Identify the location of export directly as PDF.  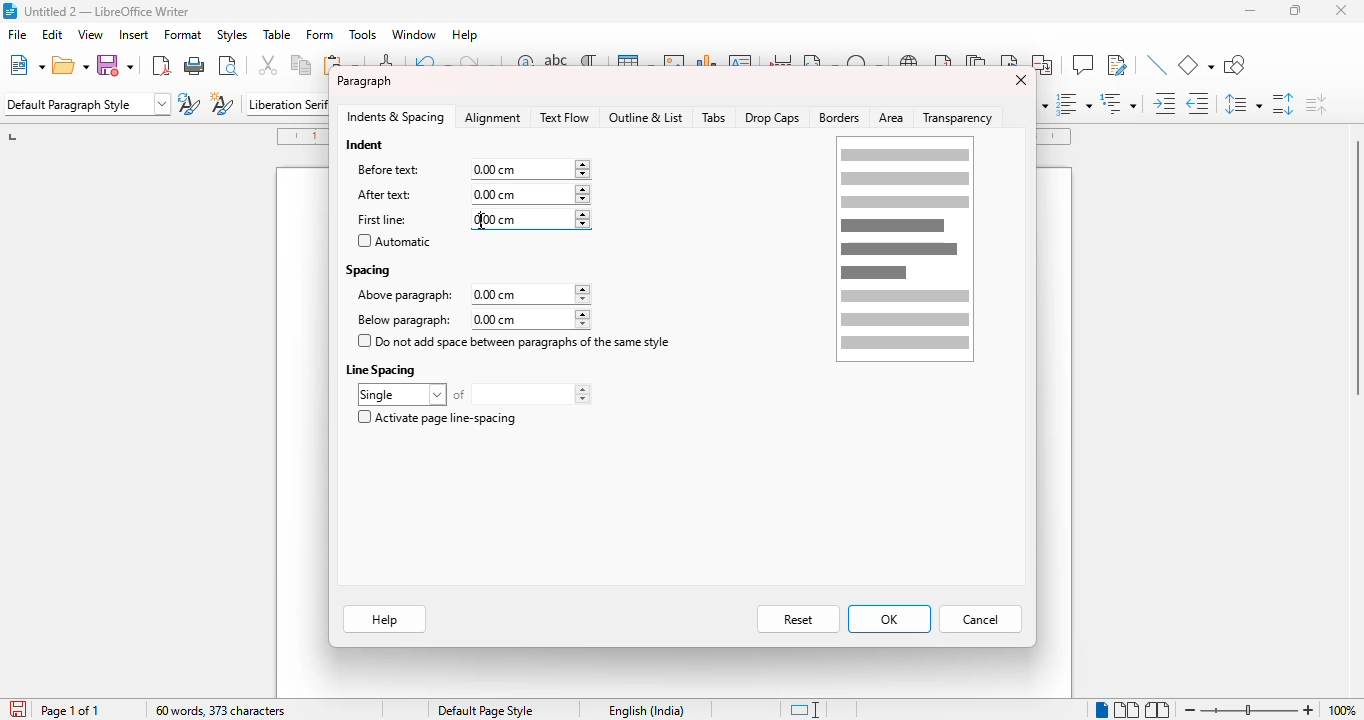
(160, 65).